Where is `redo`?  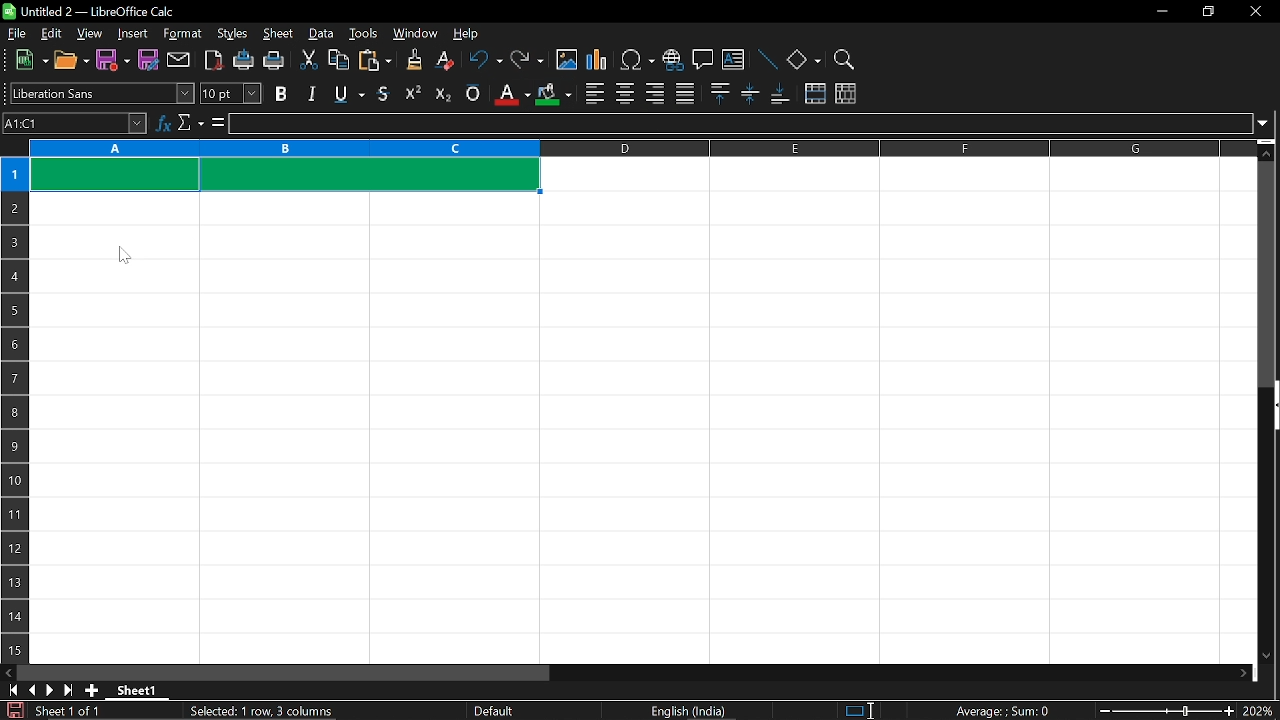
redo is located at coordinates (528, 61).